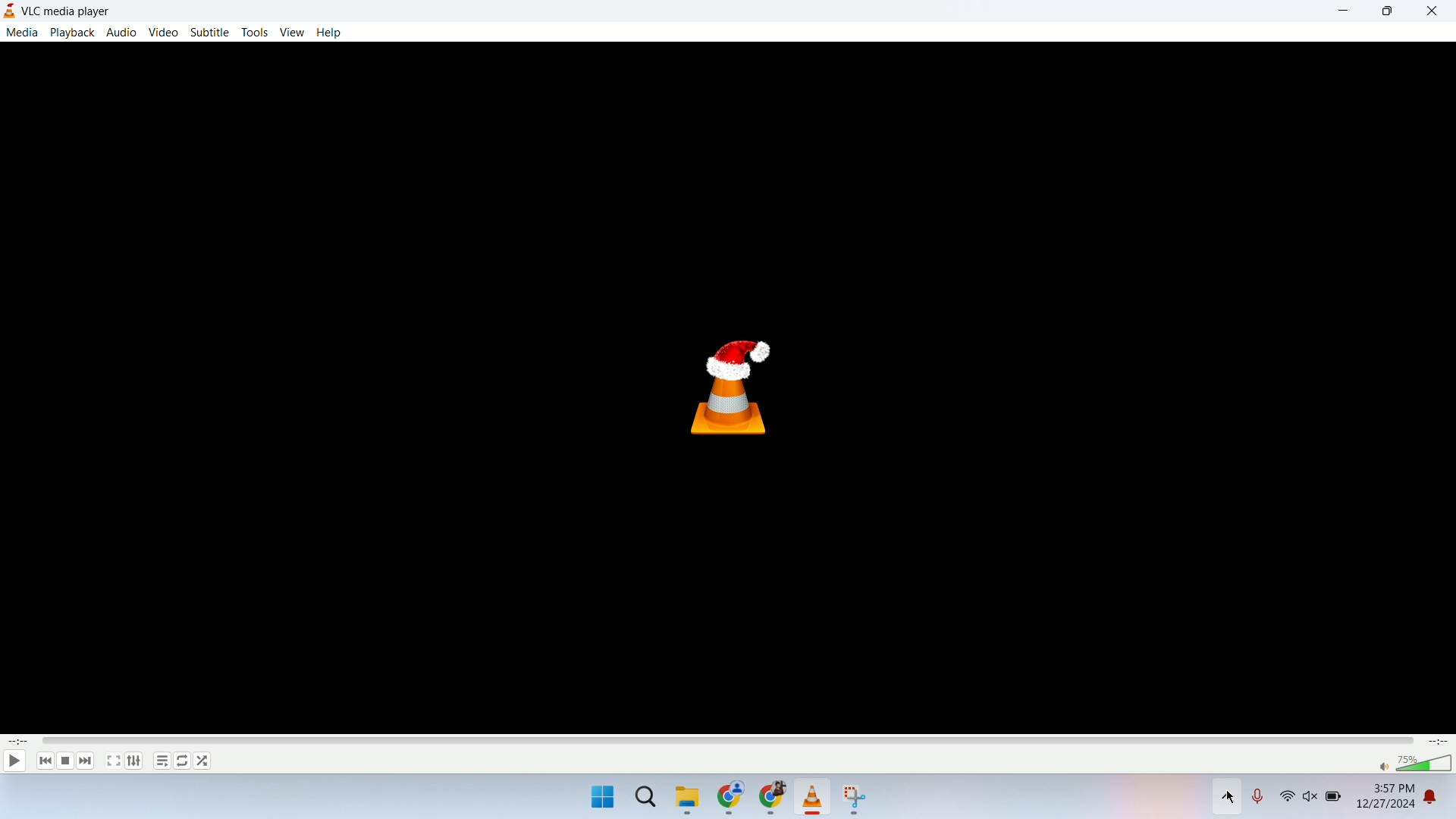 The image size is (1456, 819). What do you see at coordinates (648, 802) in the screenshot?
I see `search` at bounding box center [648, 802].